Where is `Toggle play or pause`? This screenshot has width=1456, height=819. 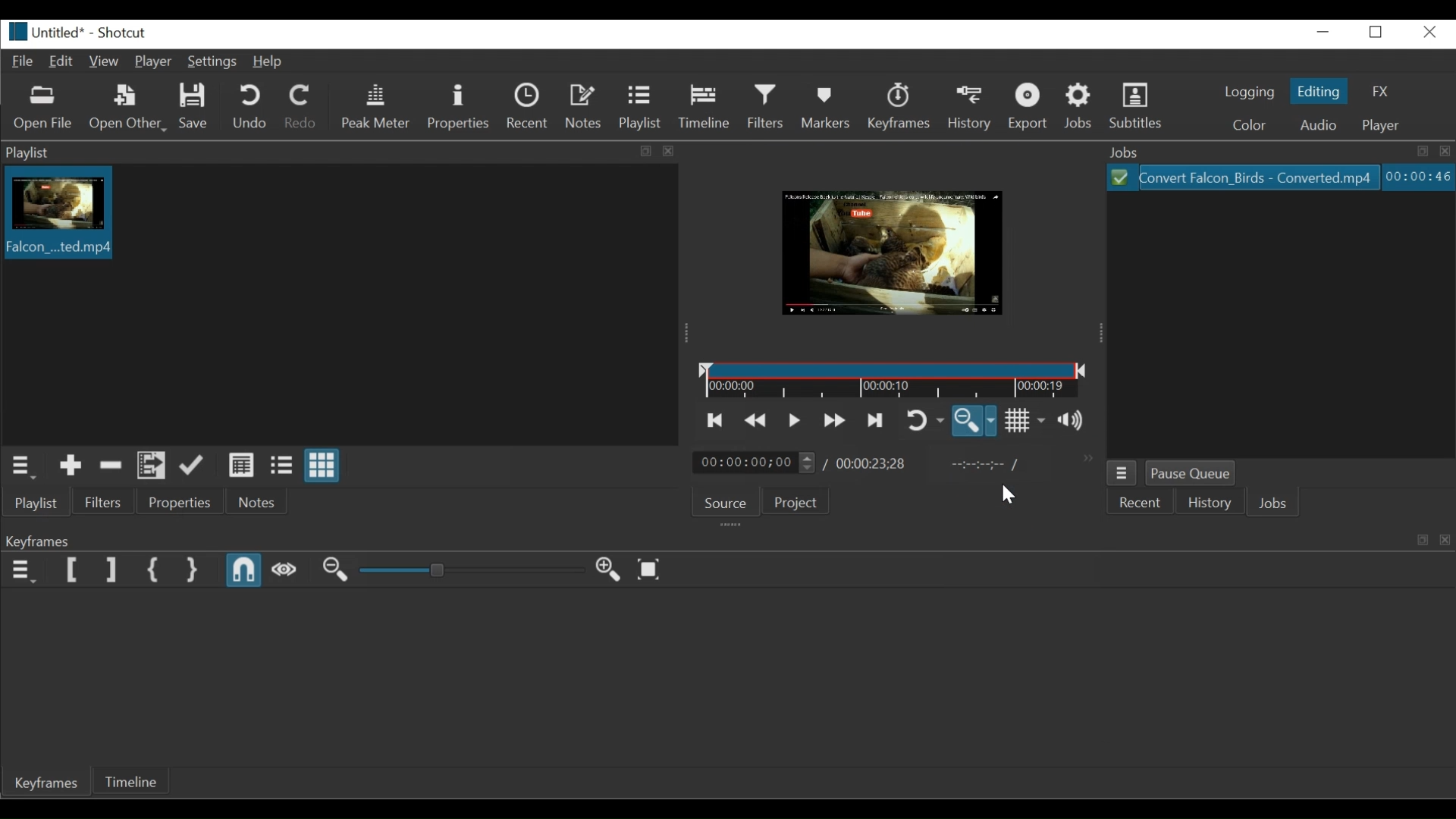
Toggle play or pause is located at coordinates (795, 420).